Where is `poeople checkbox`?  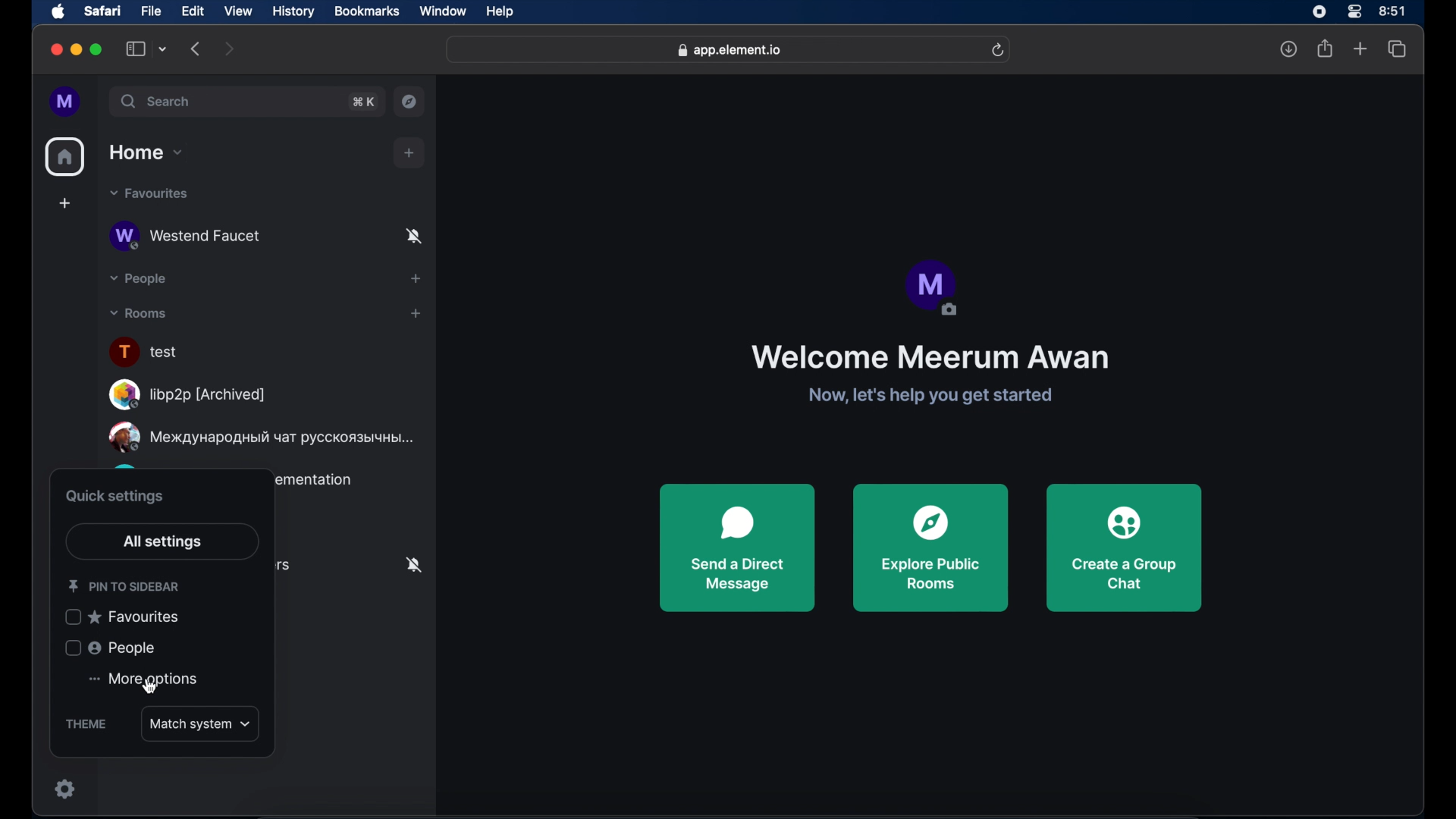 poeople checkbox is located at coordinates (111, 648).